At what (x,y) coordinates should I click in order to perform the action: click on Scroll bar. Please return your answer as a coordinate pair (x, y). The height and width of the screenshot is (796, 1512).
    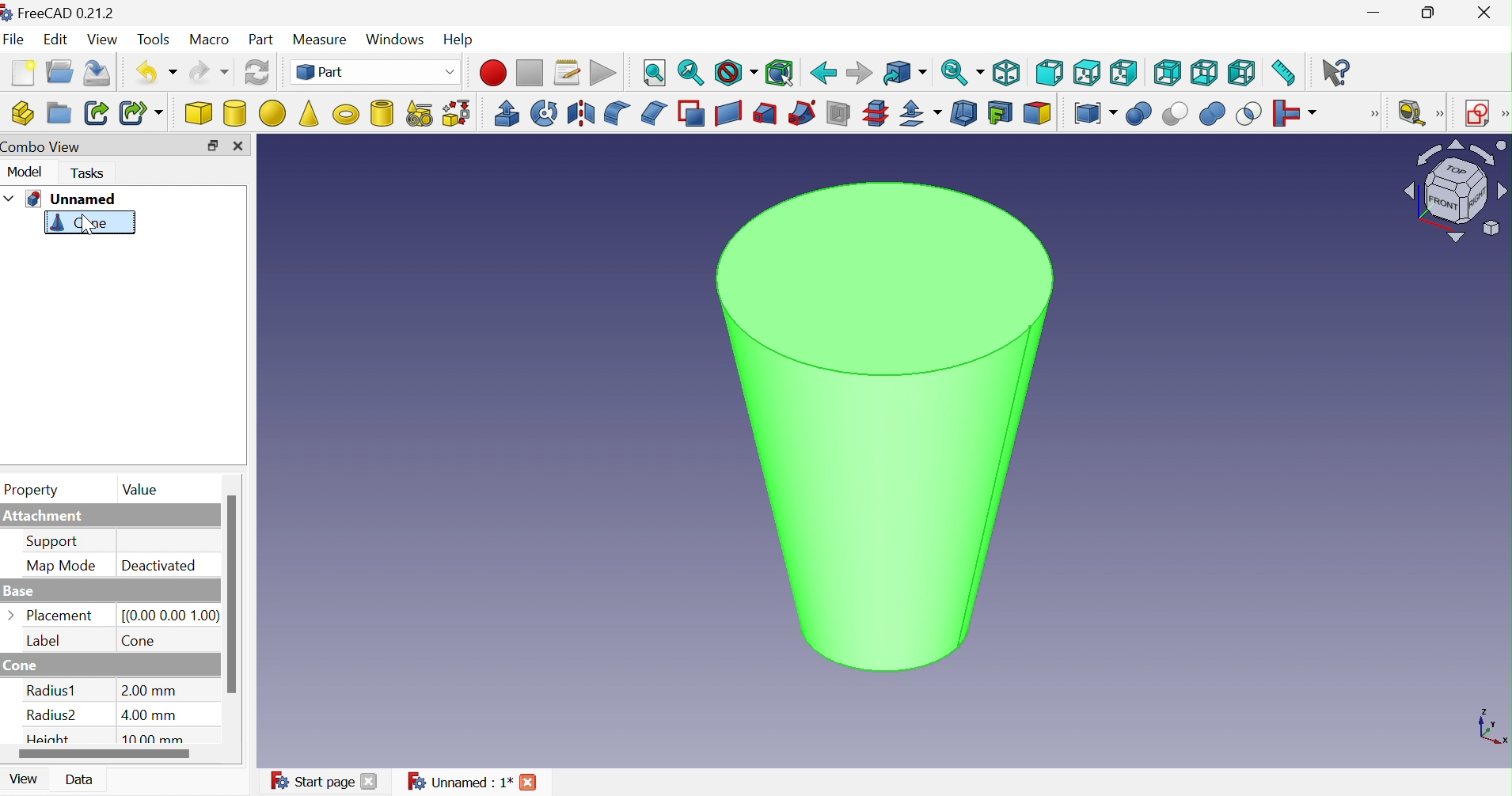
    Looking at the image, I should click on (232, 594).